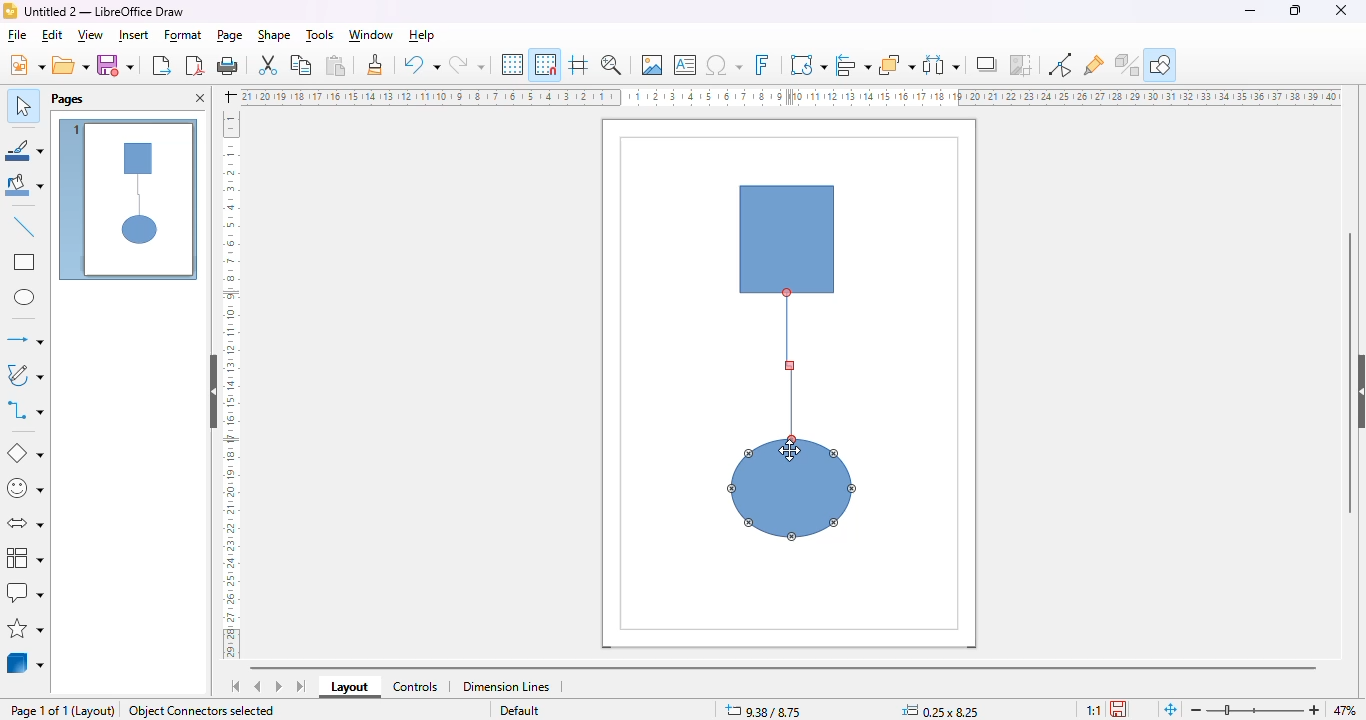  What do you see at coordinates (652, 64) in the screenshot?
I see `insert image` at bounding box center [652, 64].